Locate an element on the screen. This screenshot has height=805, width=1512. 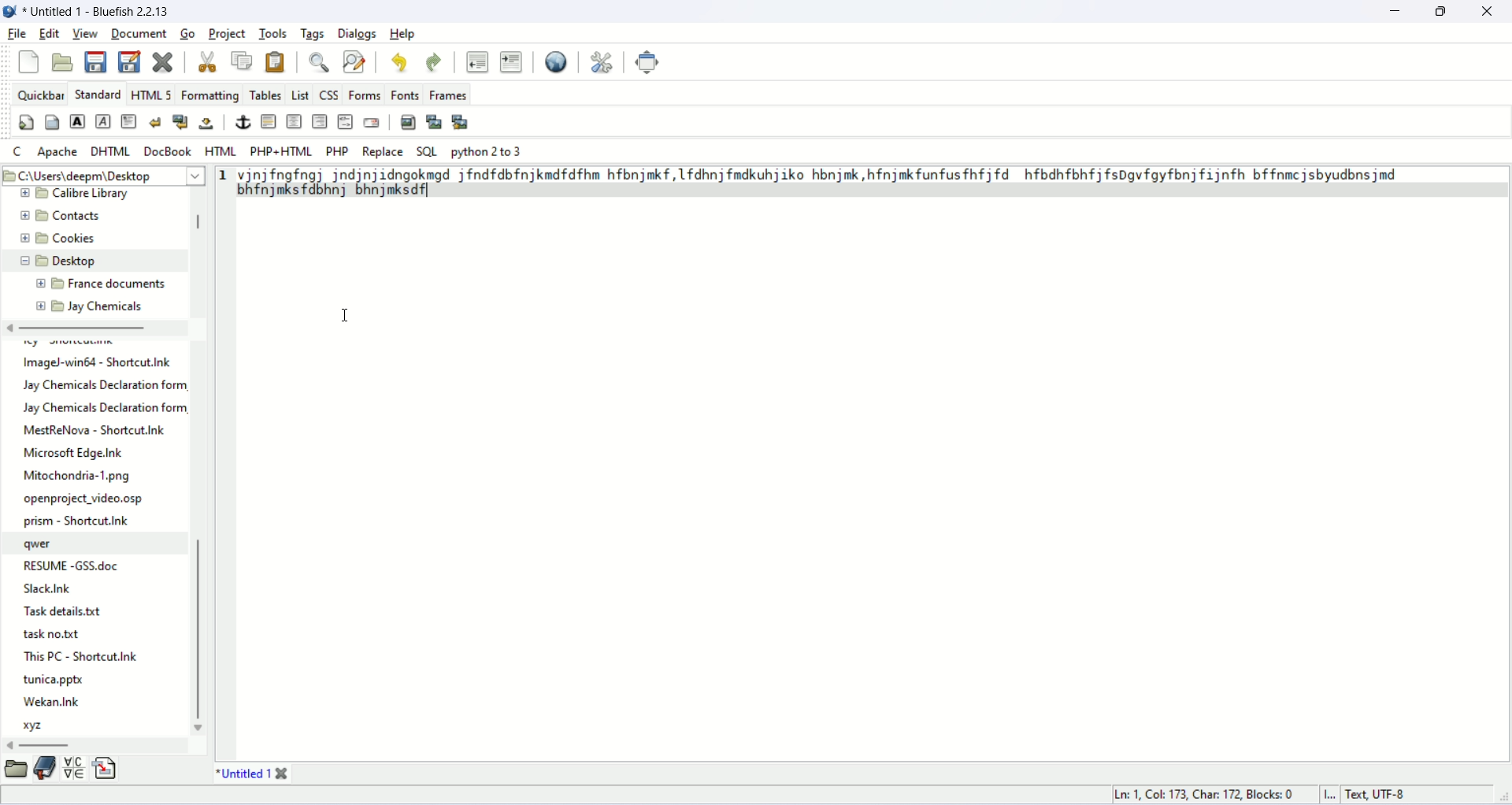
task no.txt is located at coordinates (52, 636).